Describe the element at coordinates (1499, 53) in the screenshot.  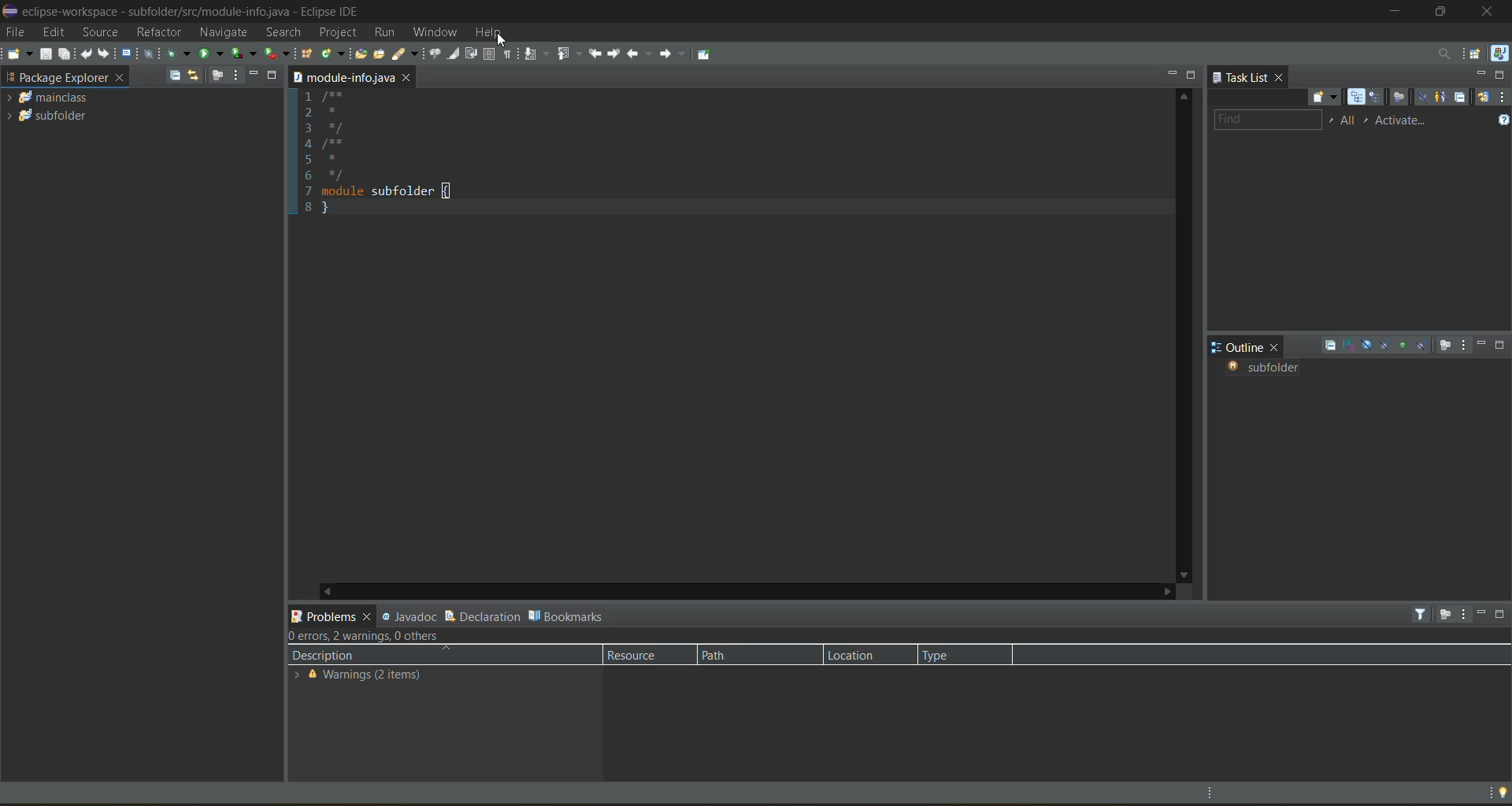
I see `java` at that location.